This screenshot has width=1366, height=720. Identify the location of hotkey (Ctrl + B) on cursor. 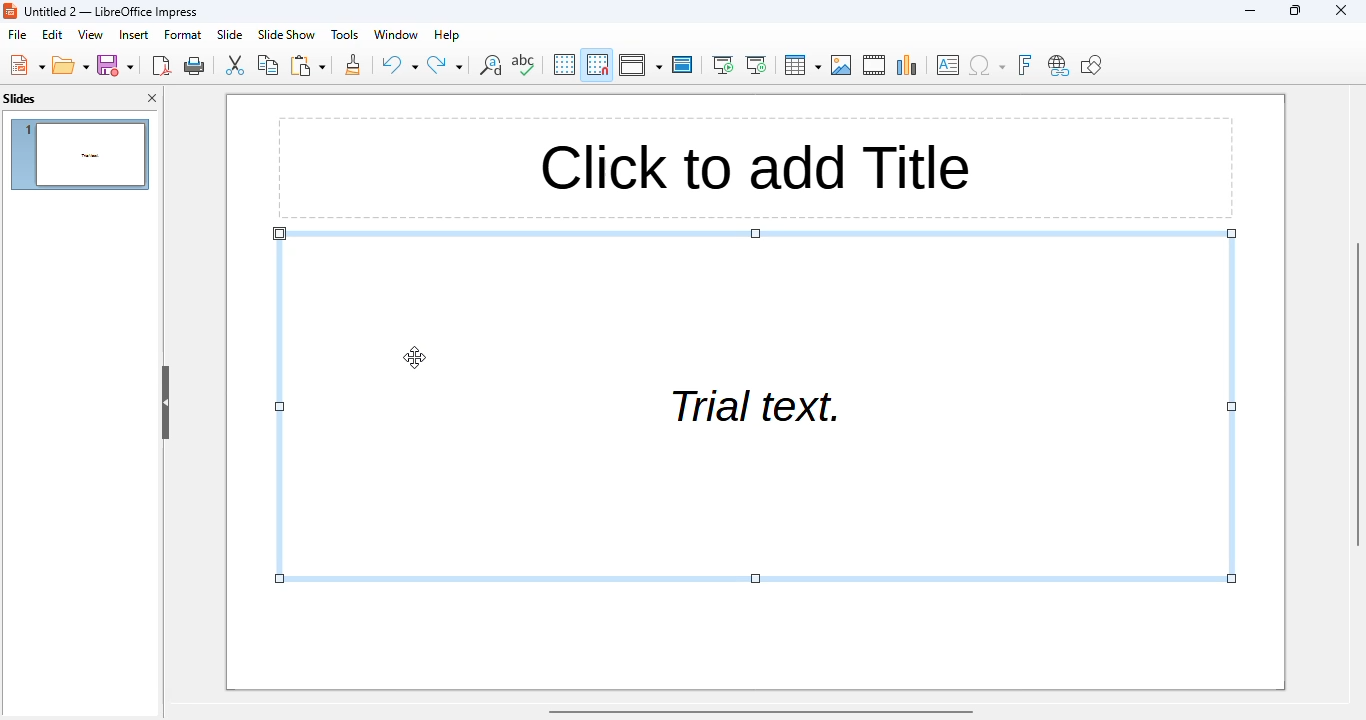
(415, 356).